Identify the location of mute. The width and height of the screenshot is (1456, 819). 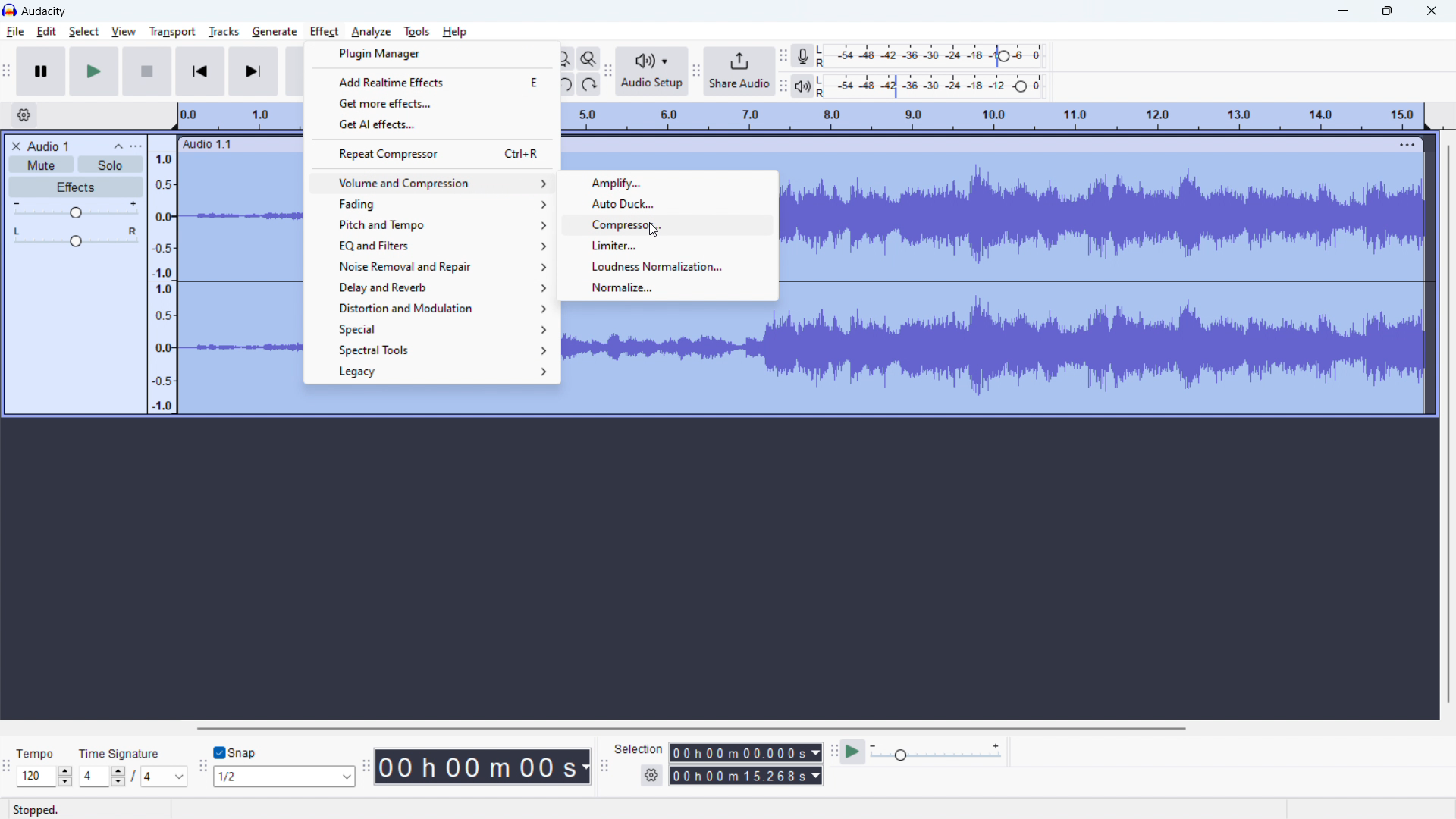
(42, 165).